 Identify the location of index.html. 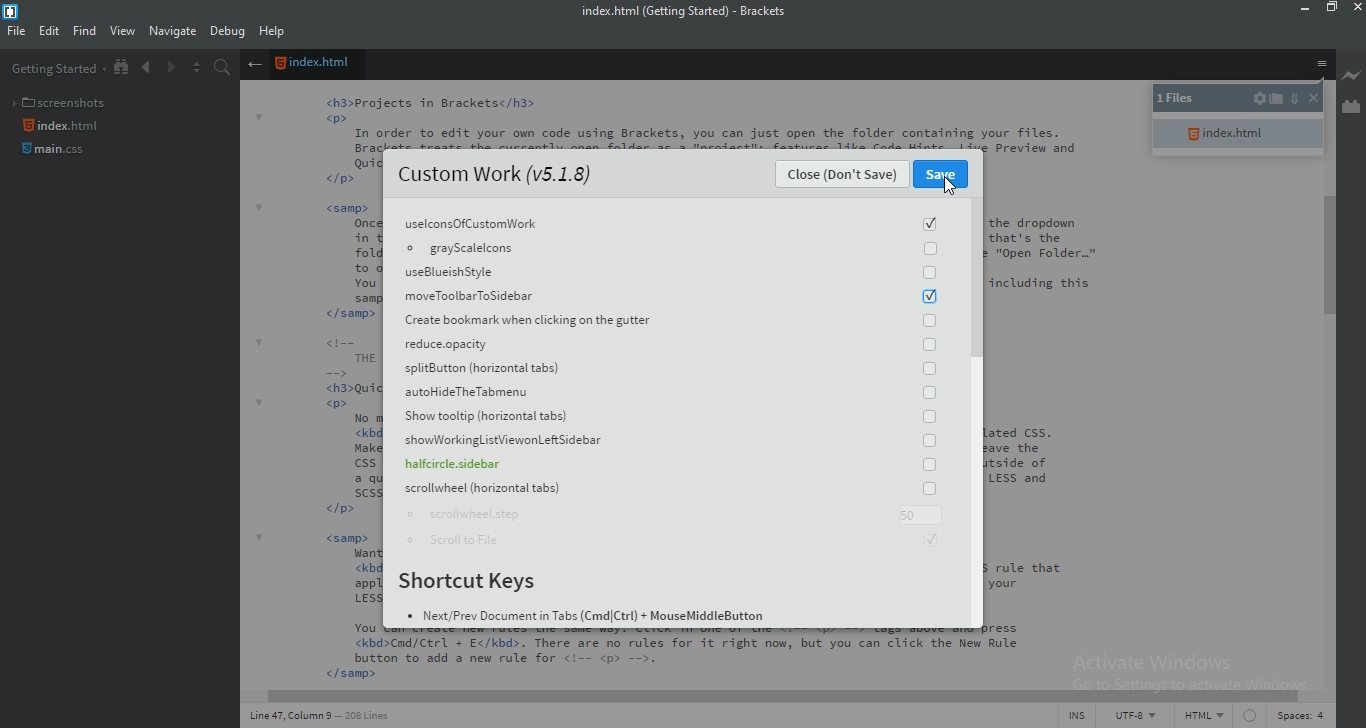
(1237, 134).